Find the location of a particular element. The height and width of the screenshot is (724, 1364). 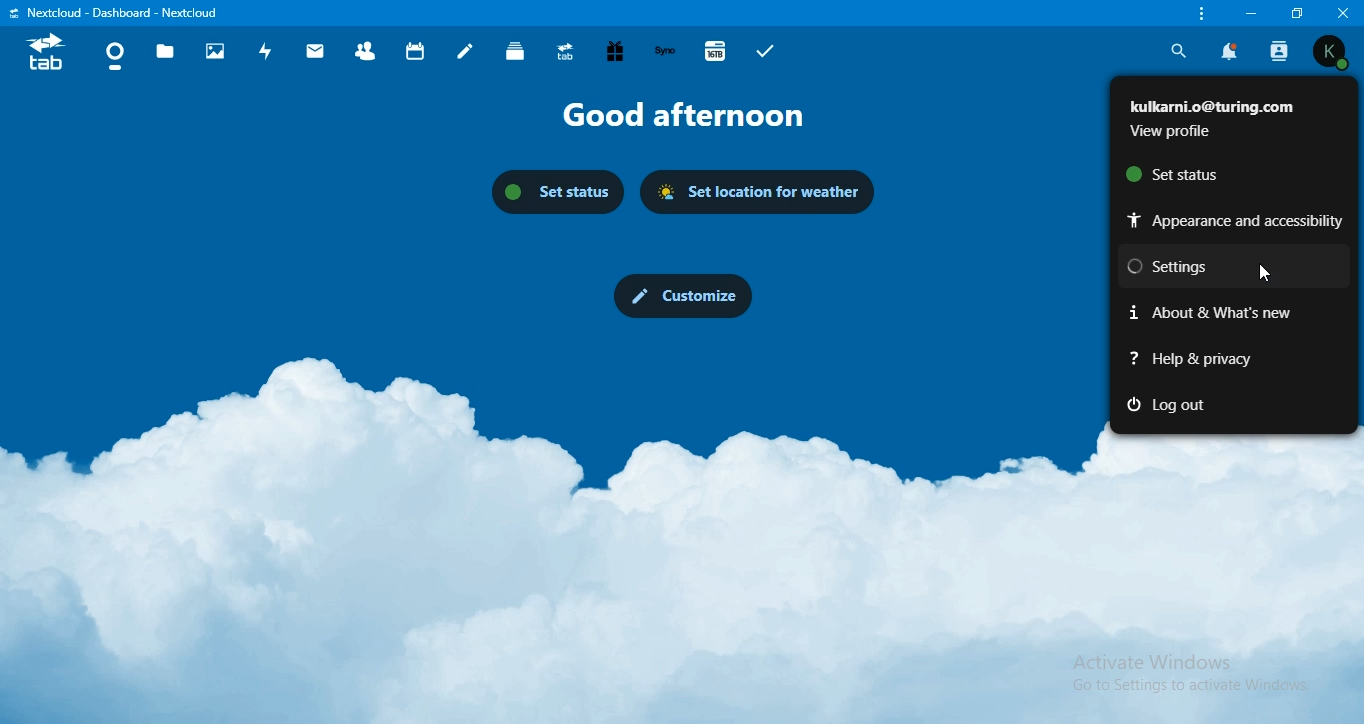

minimize is located at coordinates (1249, 13).